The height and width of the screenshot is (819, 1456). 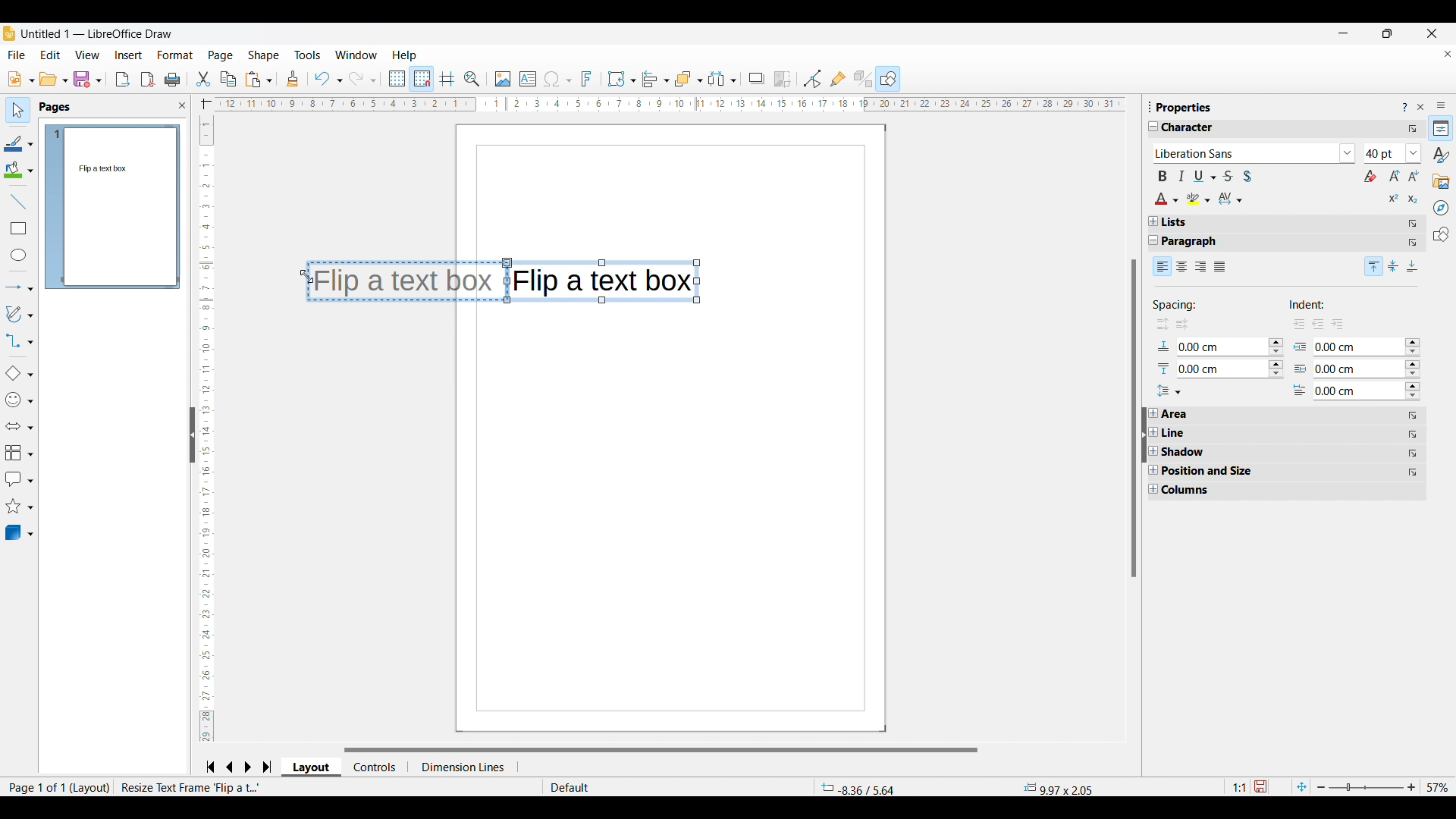 I want to click on Shapes, current selection, so click(x=888, y=79).